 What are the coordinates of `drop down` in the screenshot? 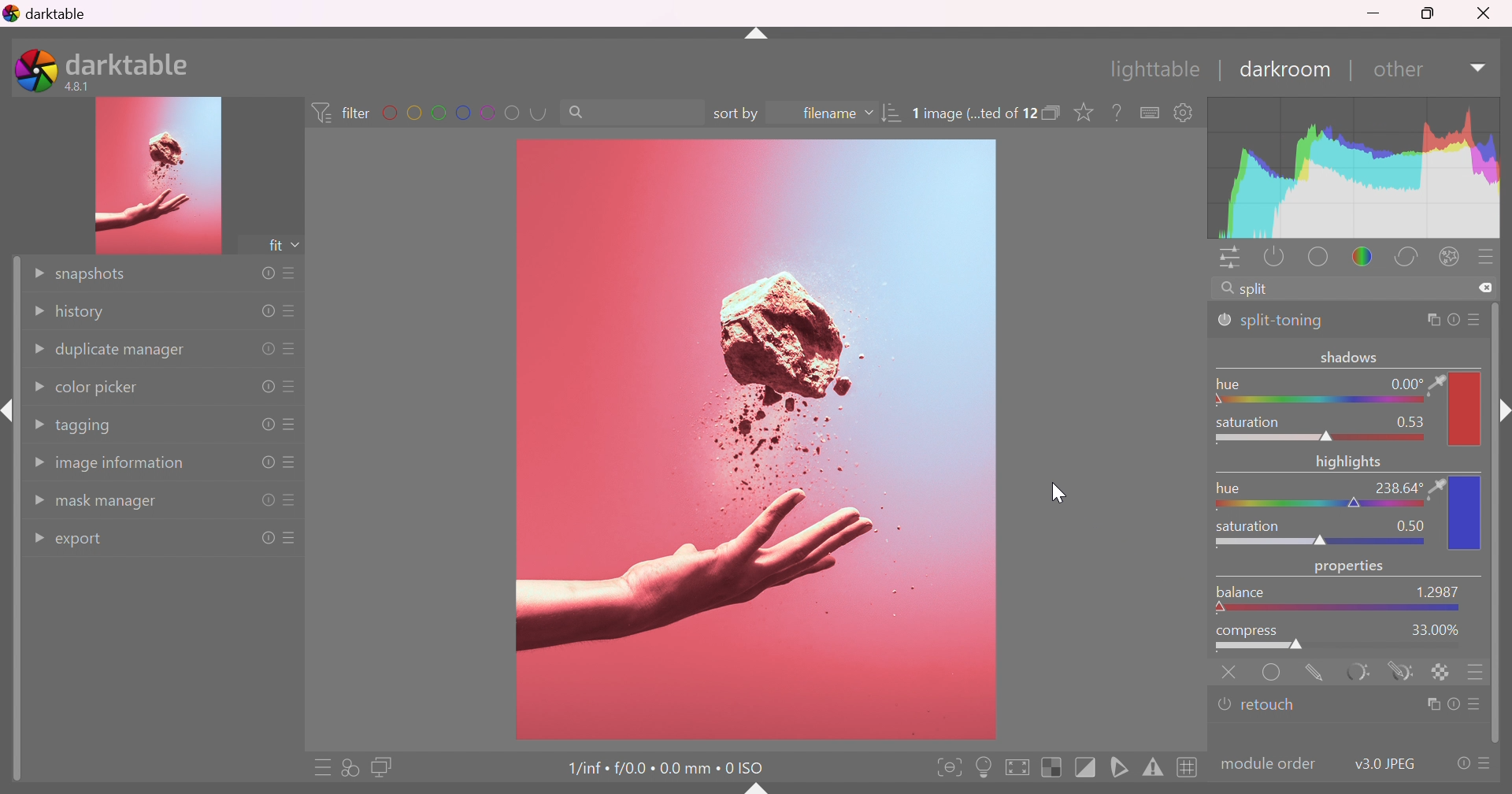 It's located at (299, 245).